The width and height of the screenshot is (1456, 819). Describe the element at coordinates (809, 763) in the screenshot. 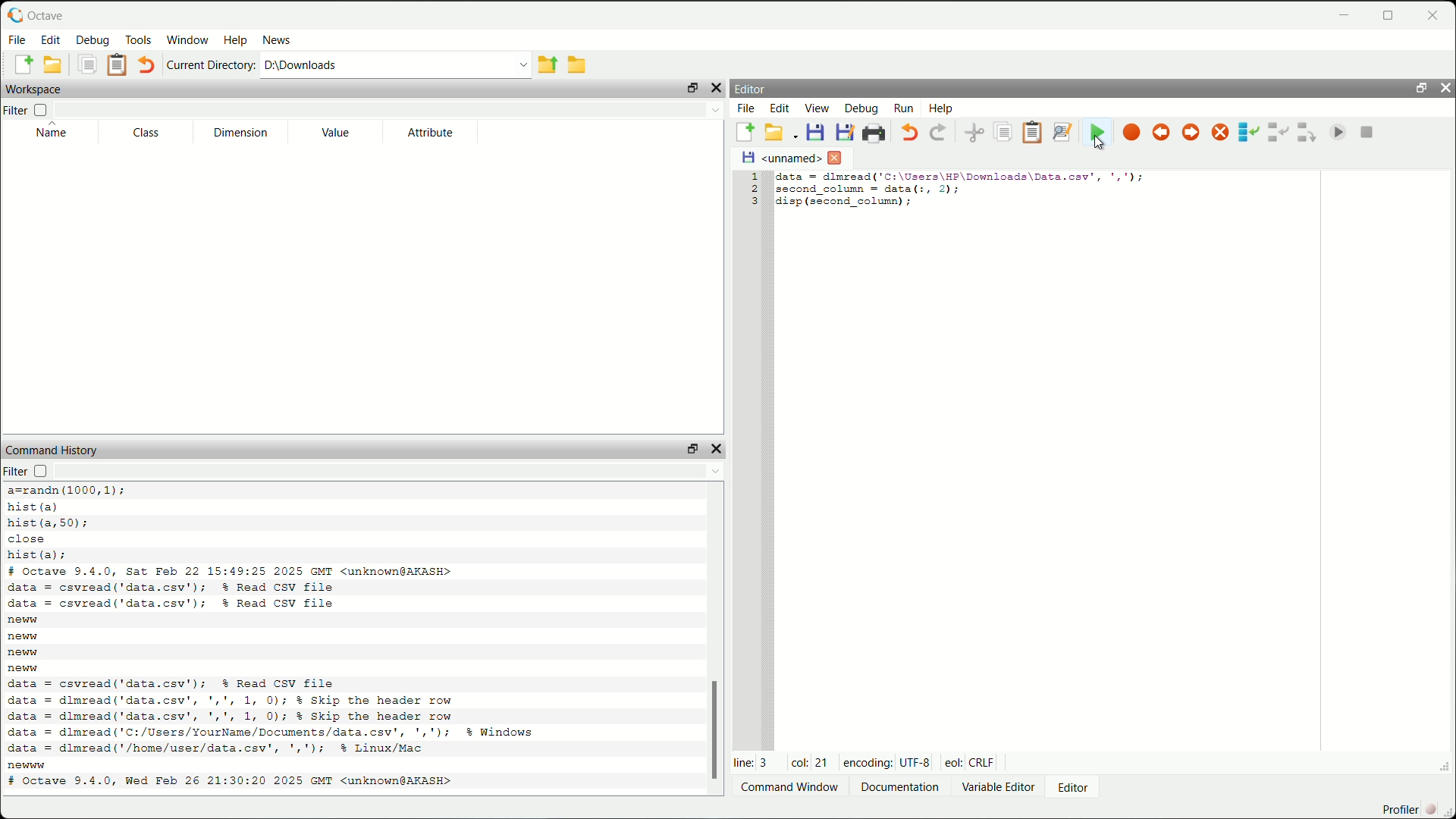

I see `col: 21` at that location.